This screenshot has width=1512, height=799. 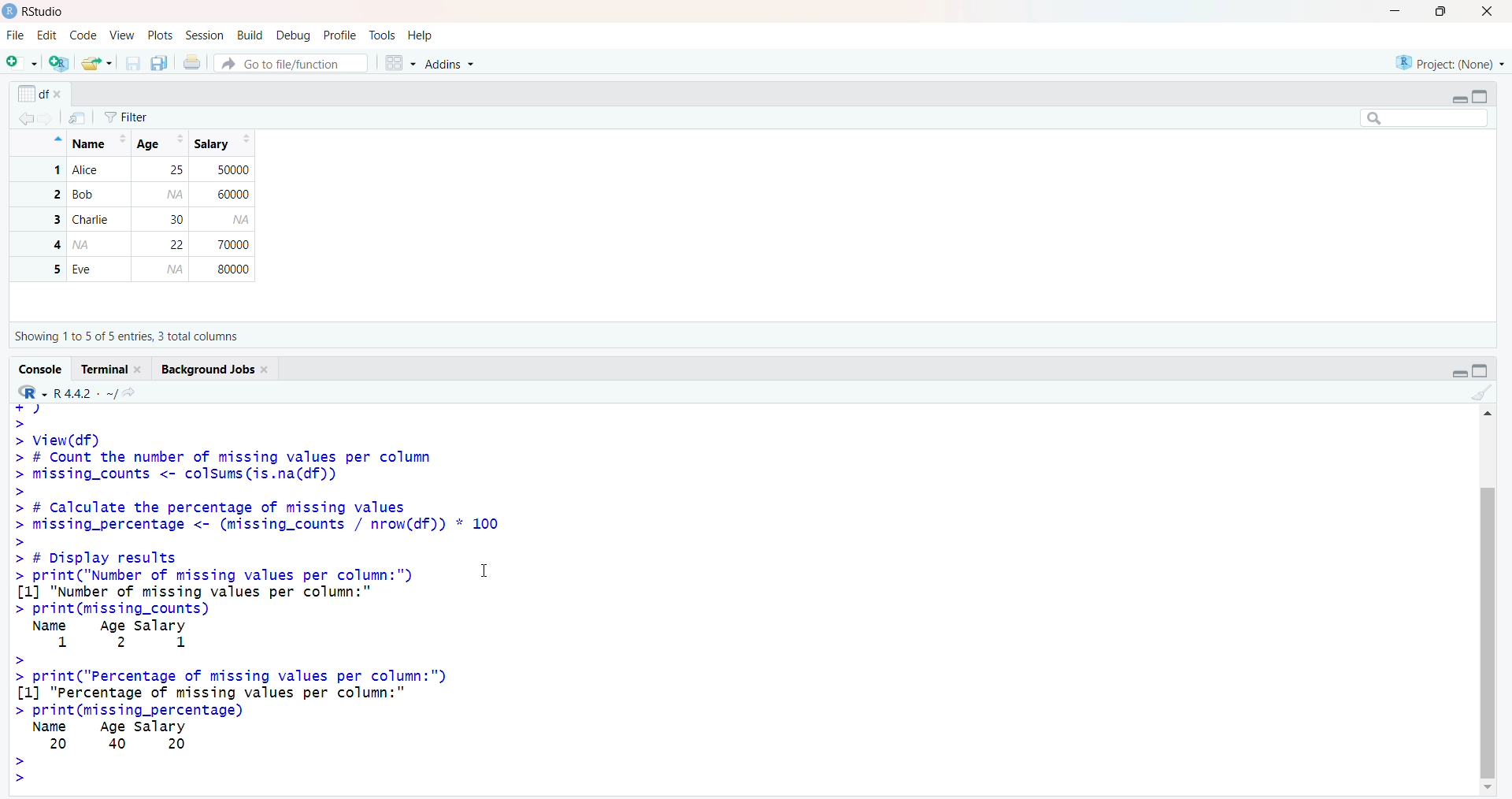 I want to click on Name, so click(x=95, y=141).